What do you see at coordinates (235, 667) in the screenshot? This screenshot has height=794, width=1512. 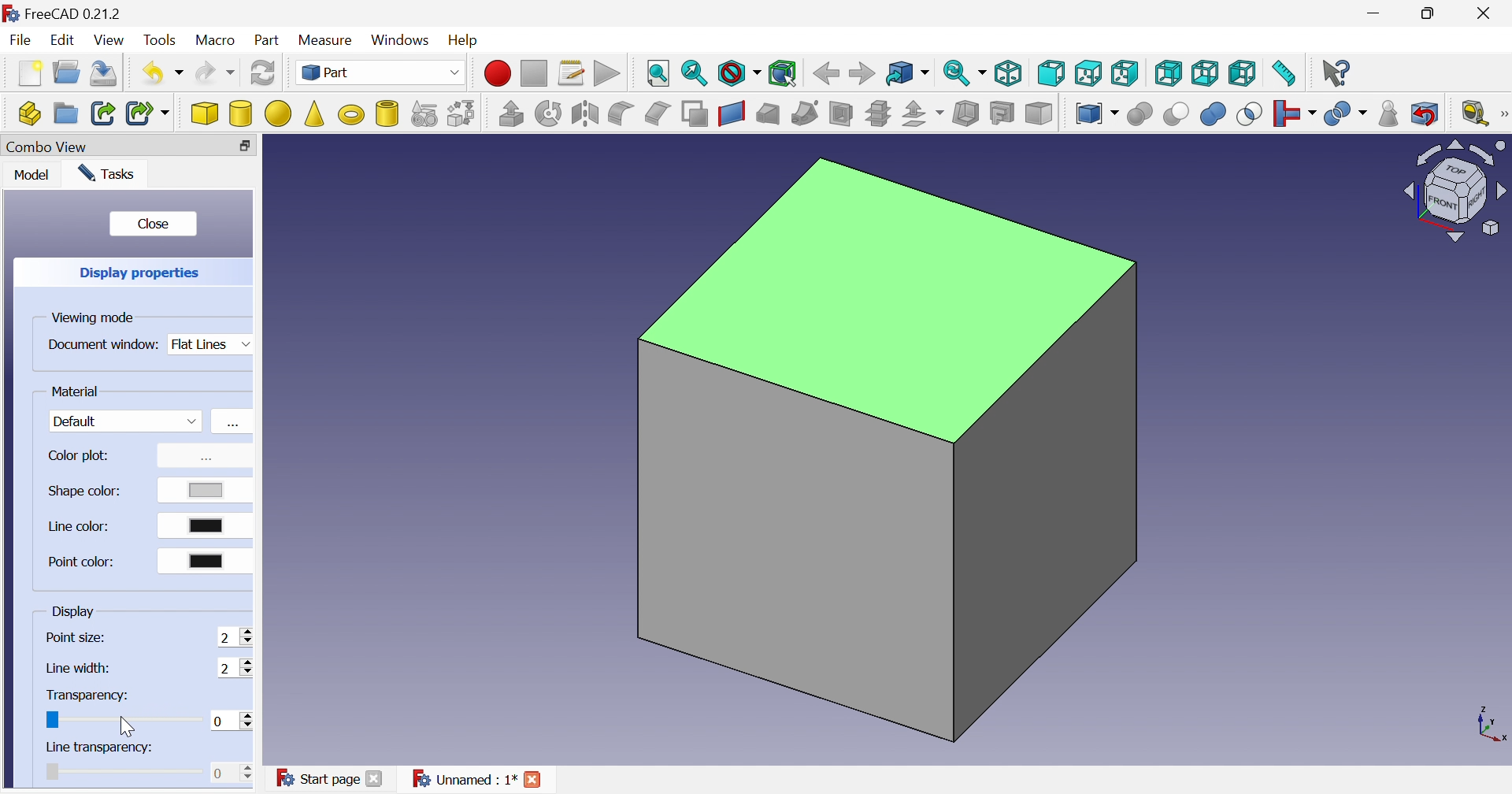 I see `2` at bounding box center [235, 667].